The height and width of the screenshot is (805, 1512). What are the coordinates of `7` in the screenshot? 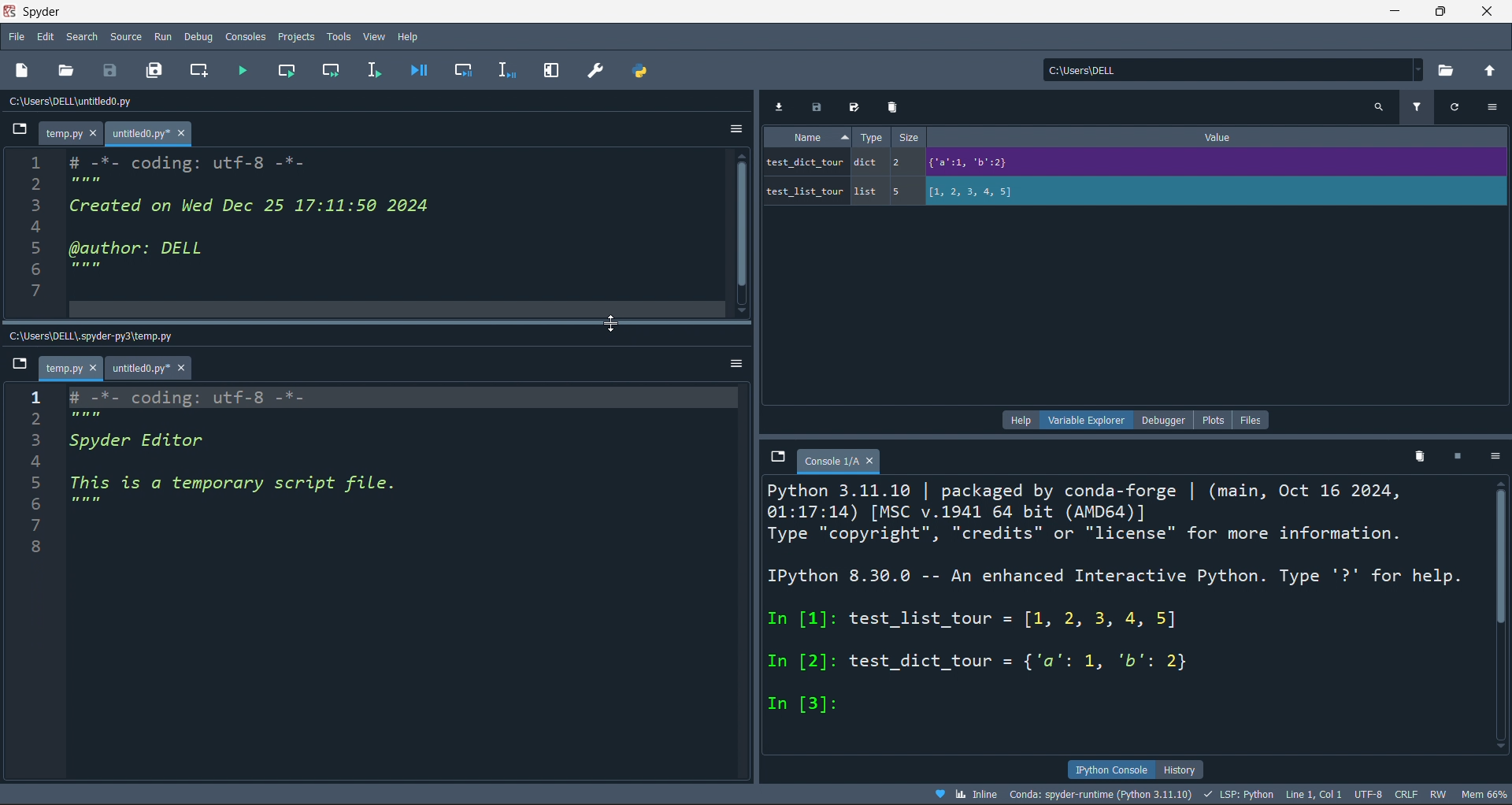 It's located at (44, 289).